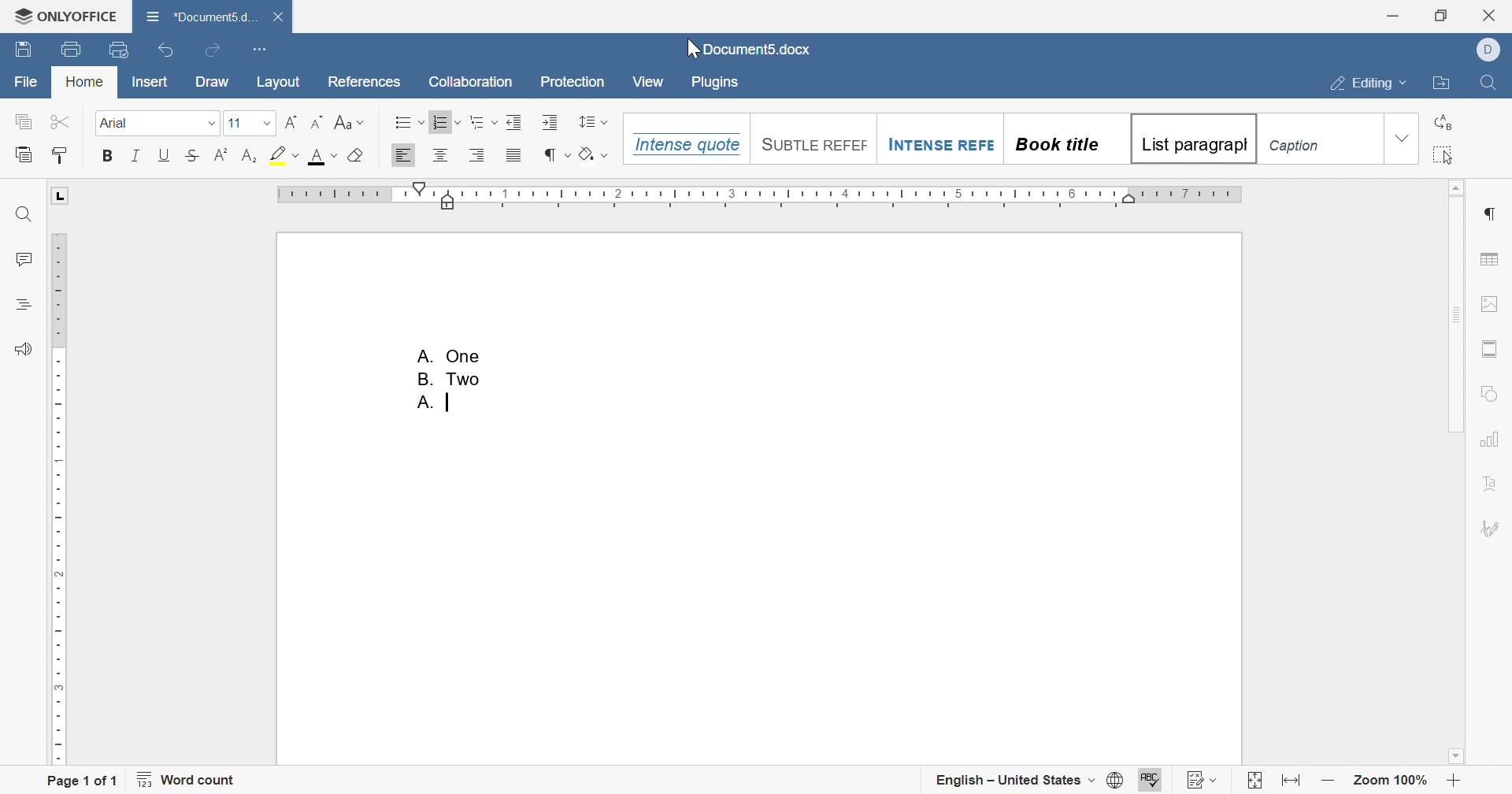  What do you see at coordinates (61, 154) in the screenshot?
I see `Copy style` at bounding box center [61, 154].